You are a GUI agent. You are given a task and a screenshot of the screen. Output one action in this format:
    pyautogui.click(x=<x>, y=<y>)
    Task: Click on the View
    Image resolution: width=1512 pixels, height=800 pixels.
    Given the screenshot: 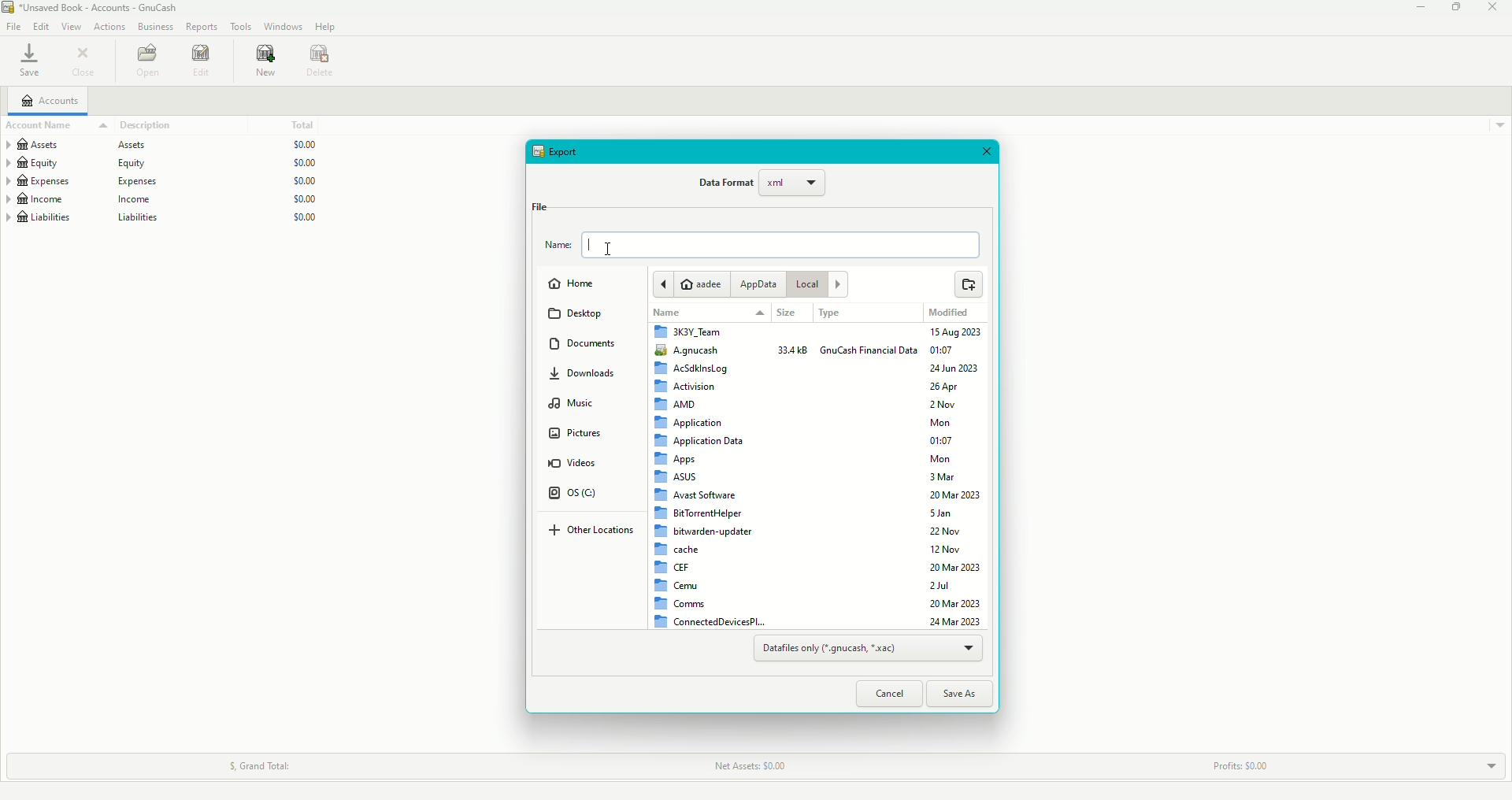 What is the action you would take?
    pyautogui.click(x=70, y=27)
    